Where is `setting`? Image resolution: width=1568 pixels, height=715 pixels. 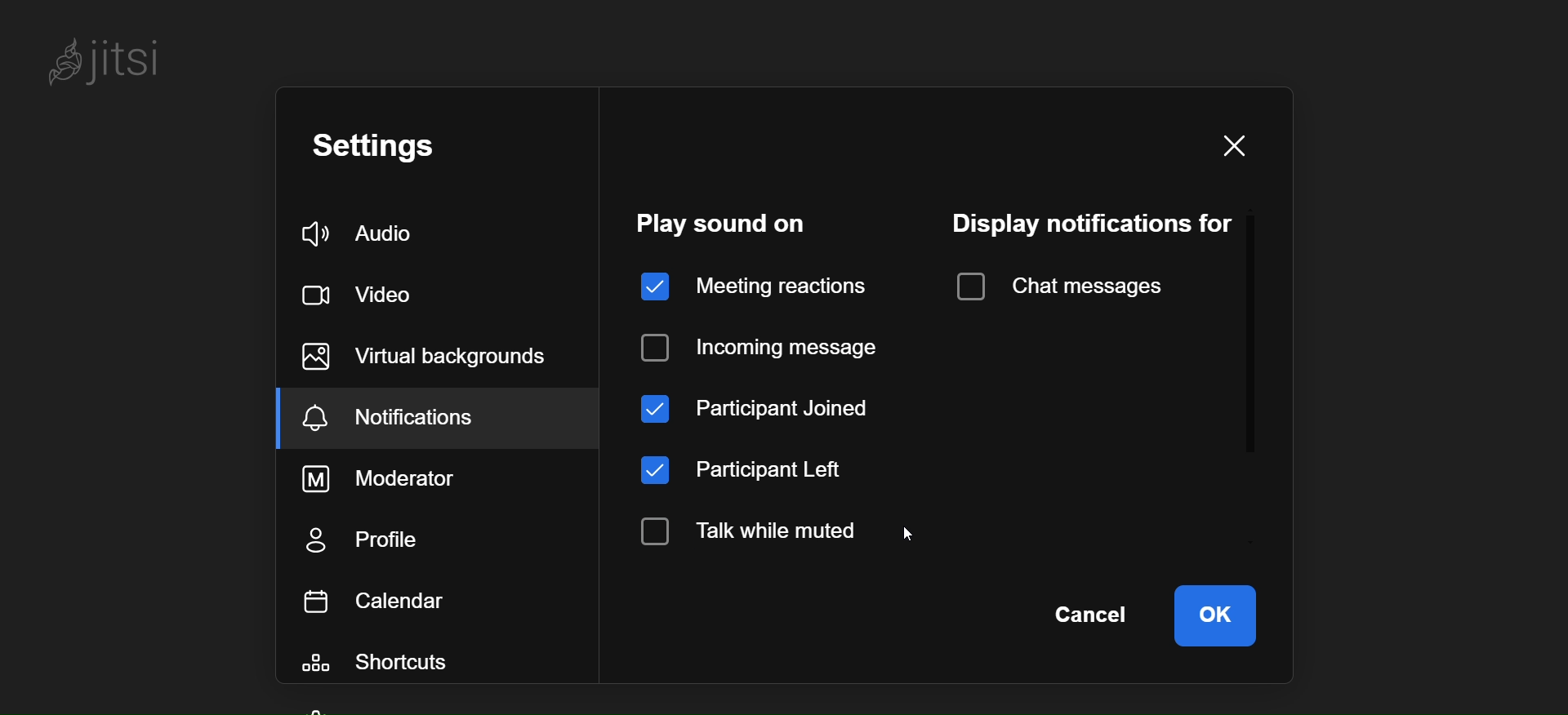 setting is located at coordinates (382, 149).